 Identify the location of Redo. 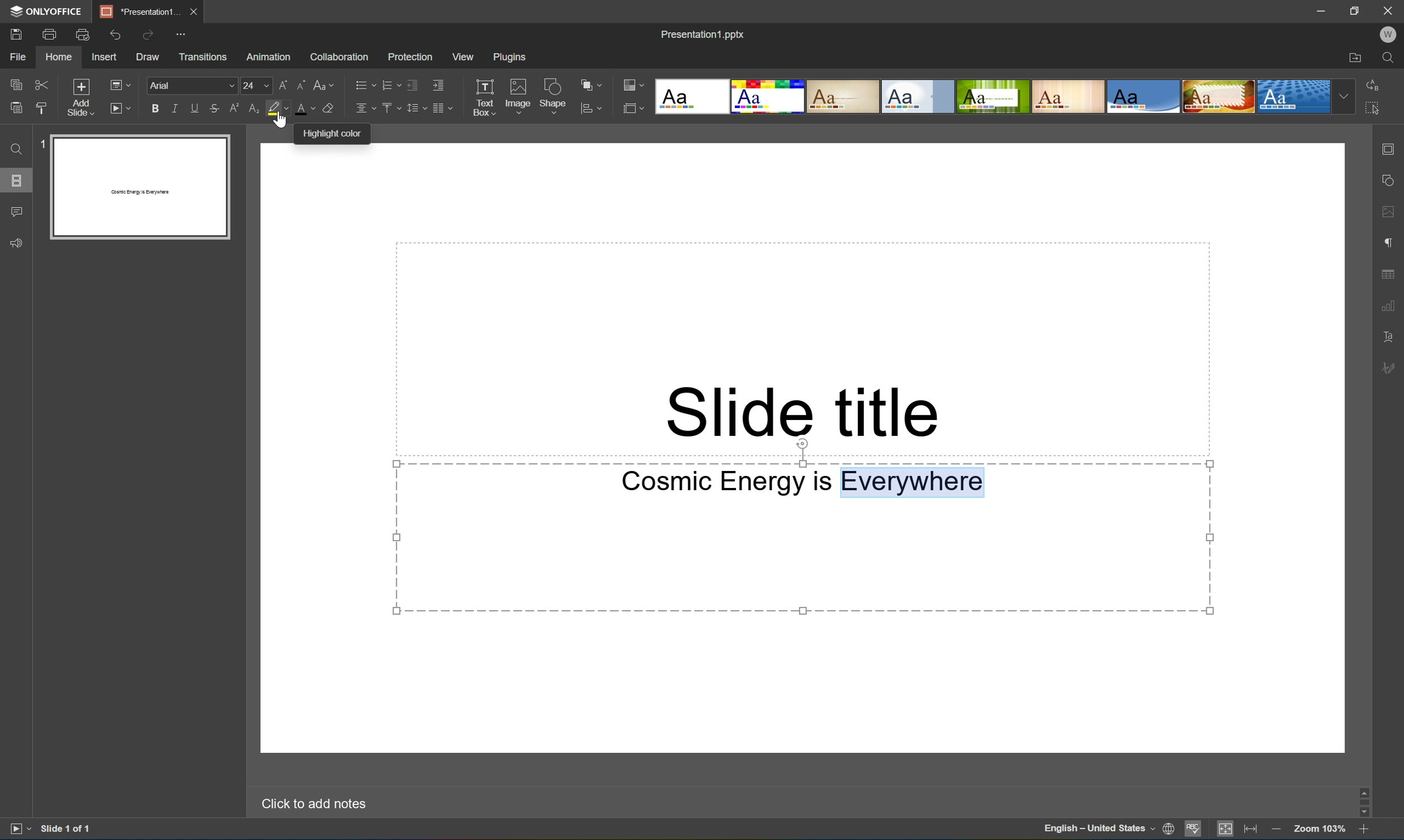
(147, 35).